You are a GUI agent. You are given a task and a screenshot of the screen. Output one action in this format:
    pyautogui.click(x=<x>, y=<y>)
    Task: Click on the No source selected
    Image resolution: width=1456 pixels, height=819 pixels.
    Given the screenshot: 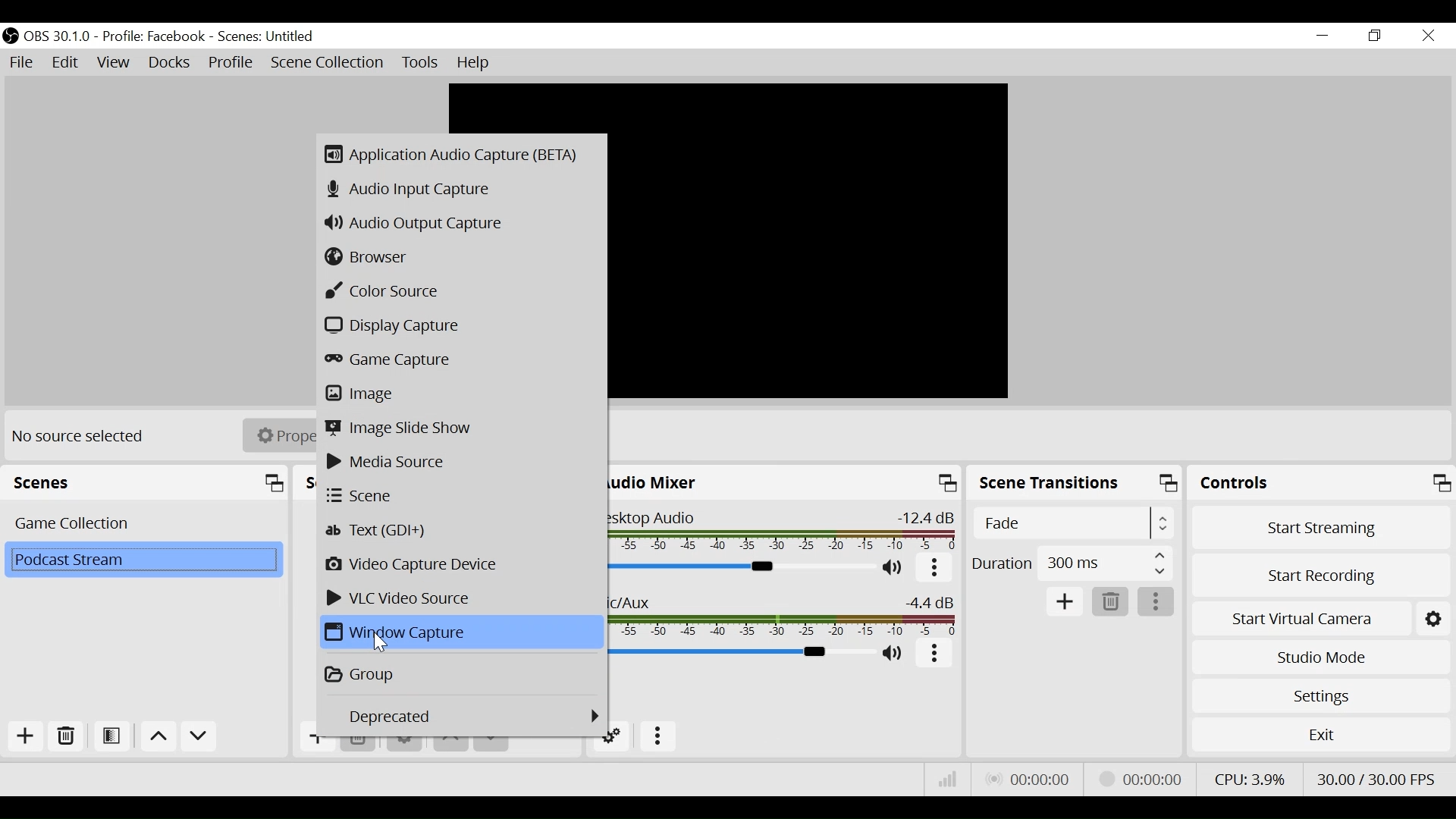 What is the action you would take?
    pyautogui.click(x=88, y=435)
    